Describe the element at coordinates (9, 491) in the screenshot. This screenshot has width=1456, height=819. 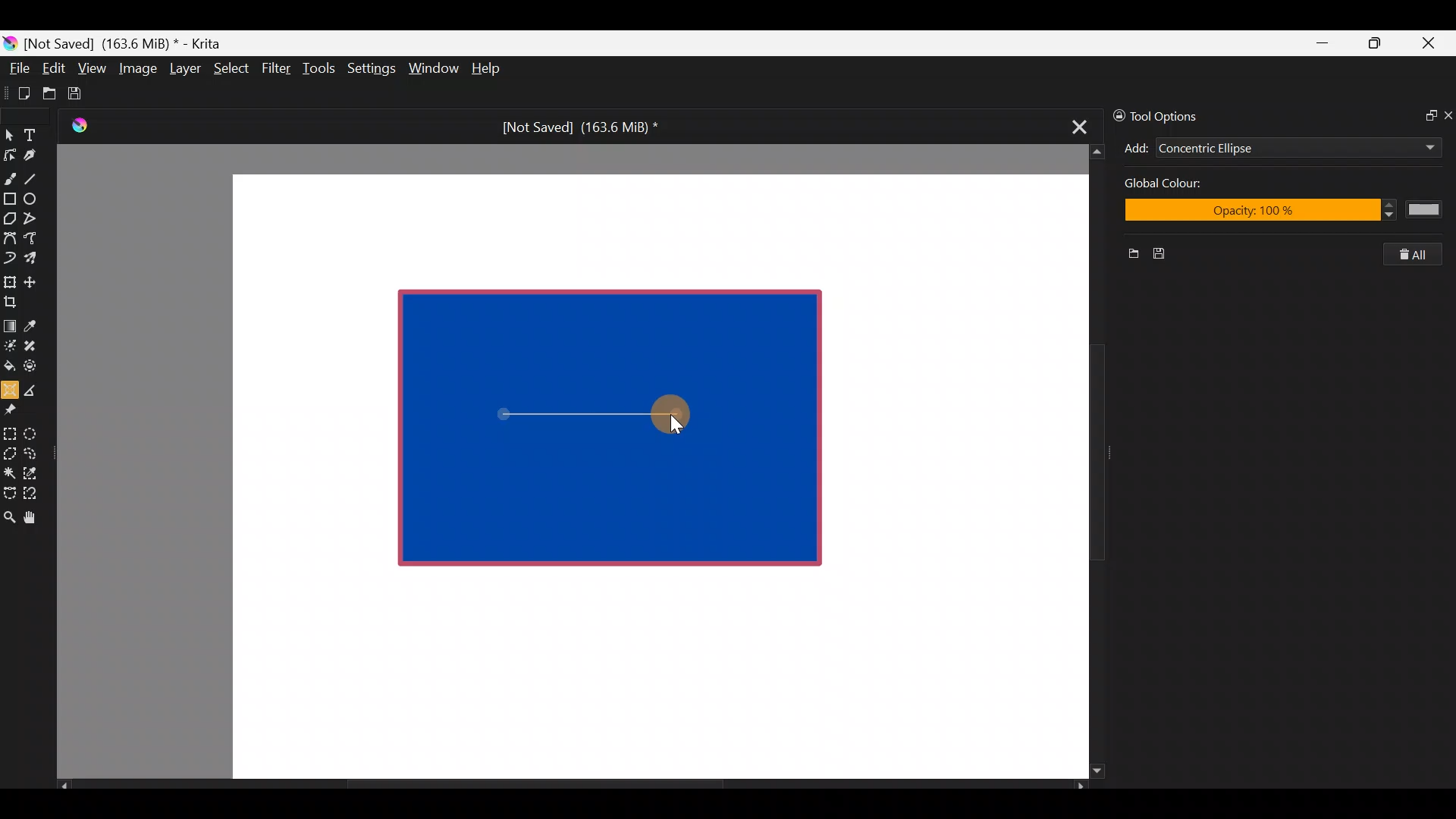
I see `Bezier curve selection tool` at that location.